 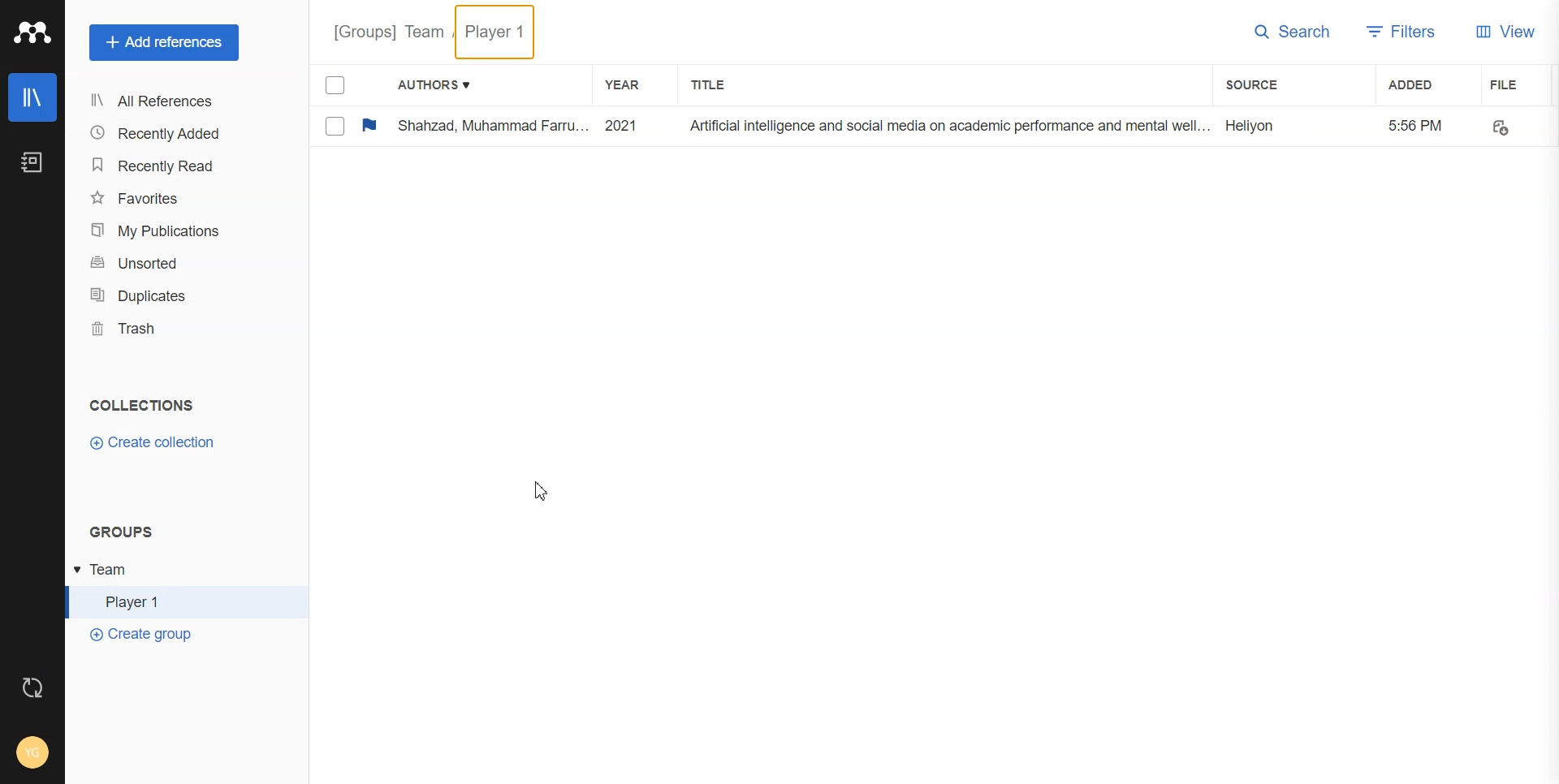 I want to click on Filters, so click(x=1401, y=32).